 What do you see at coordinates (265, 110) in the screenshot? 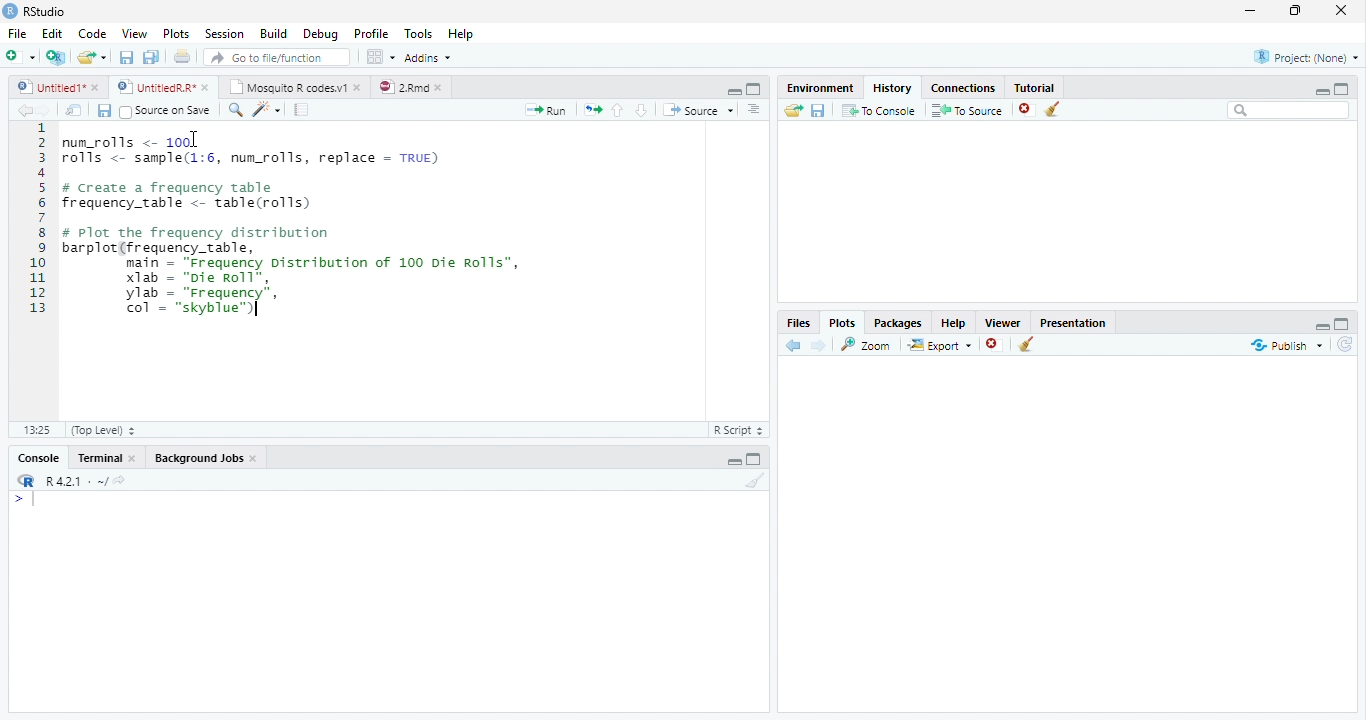
I see `Code Tools` at bounding box center [265, 110].